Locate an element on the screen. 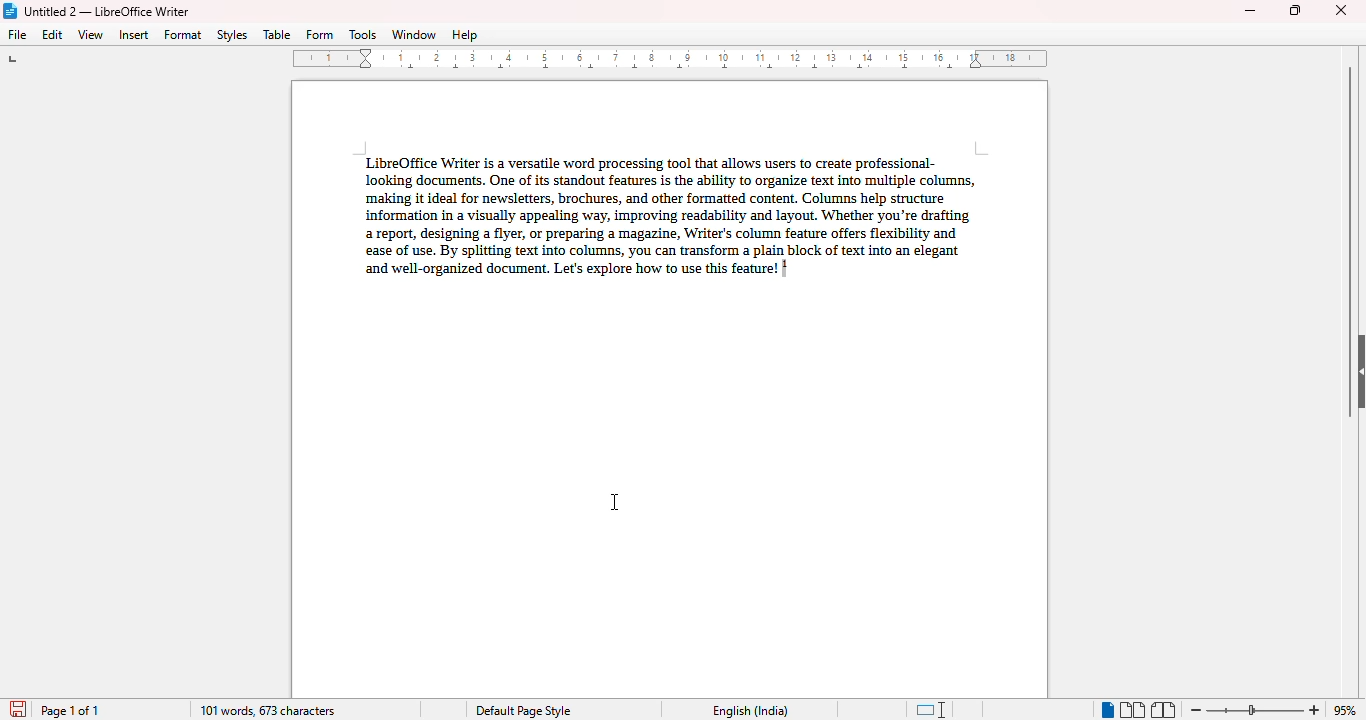  minimize is located at coordinates (1250, 11).